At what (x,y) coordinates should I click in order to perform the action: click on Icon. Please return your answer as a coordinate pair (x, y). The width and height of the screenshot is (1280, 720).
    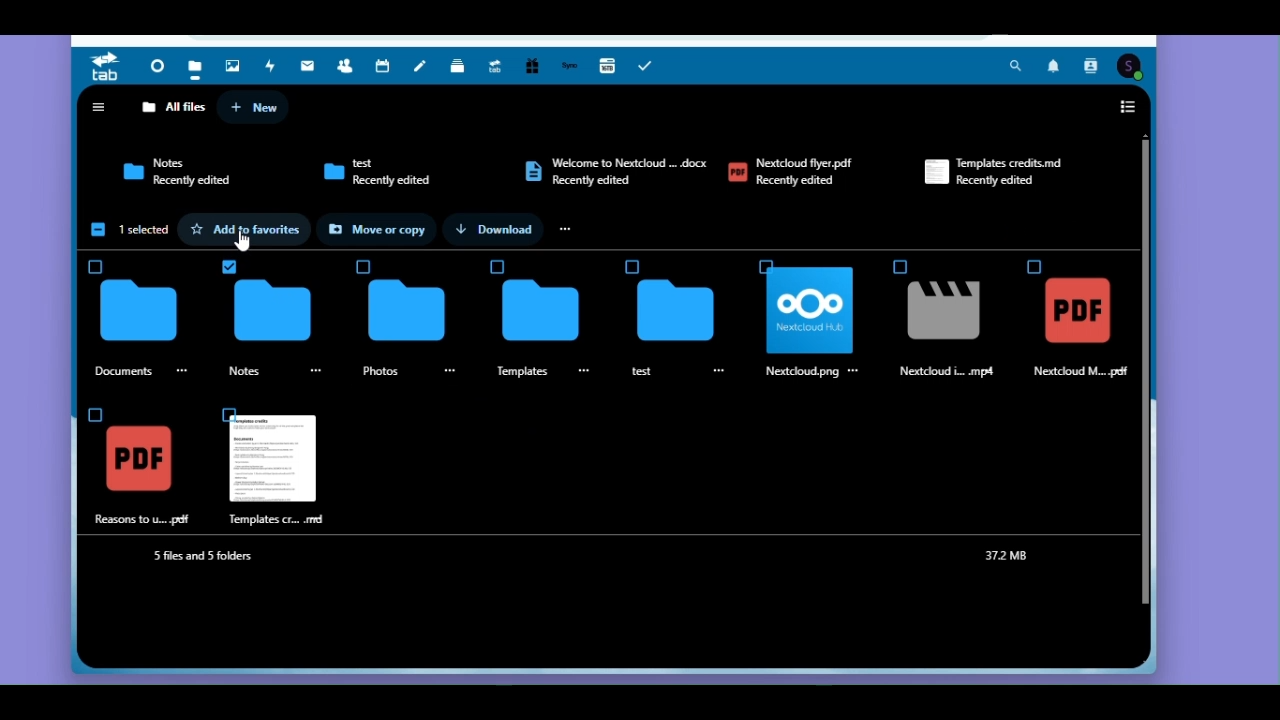
    Looking at the image, I should click on (738, 173).